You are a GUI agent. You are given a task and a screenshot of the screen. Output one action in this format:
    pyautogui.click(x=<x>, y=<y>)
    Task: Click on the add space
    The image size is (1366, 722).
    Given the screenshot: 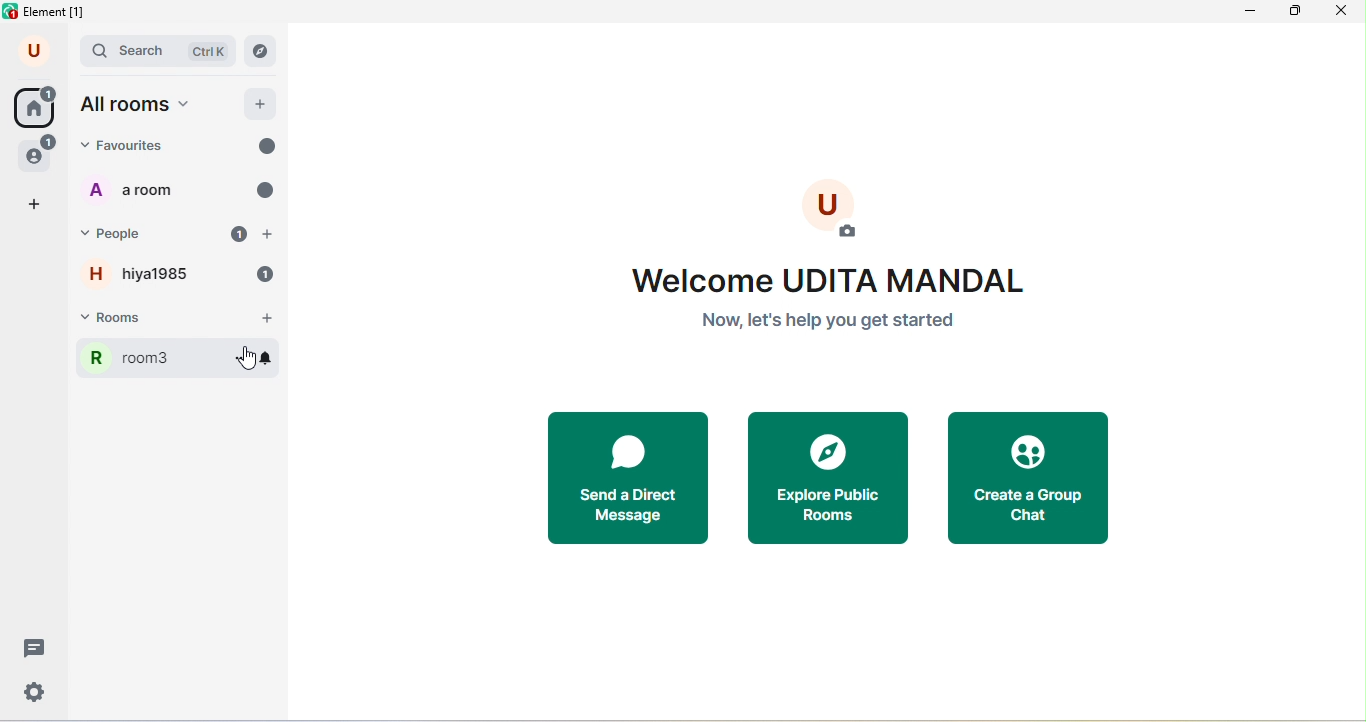 What is the action you would take?
    pyautogui.click(x=36, y=205)
    